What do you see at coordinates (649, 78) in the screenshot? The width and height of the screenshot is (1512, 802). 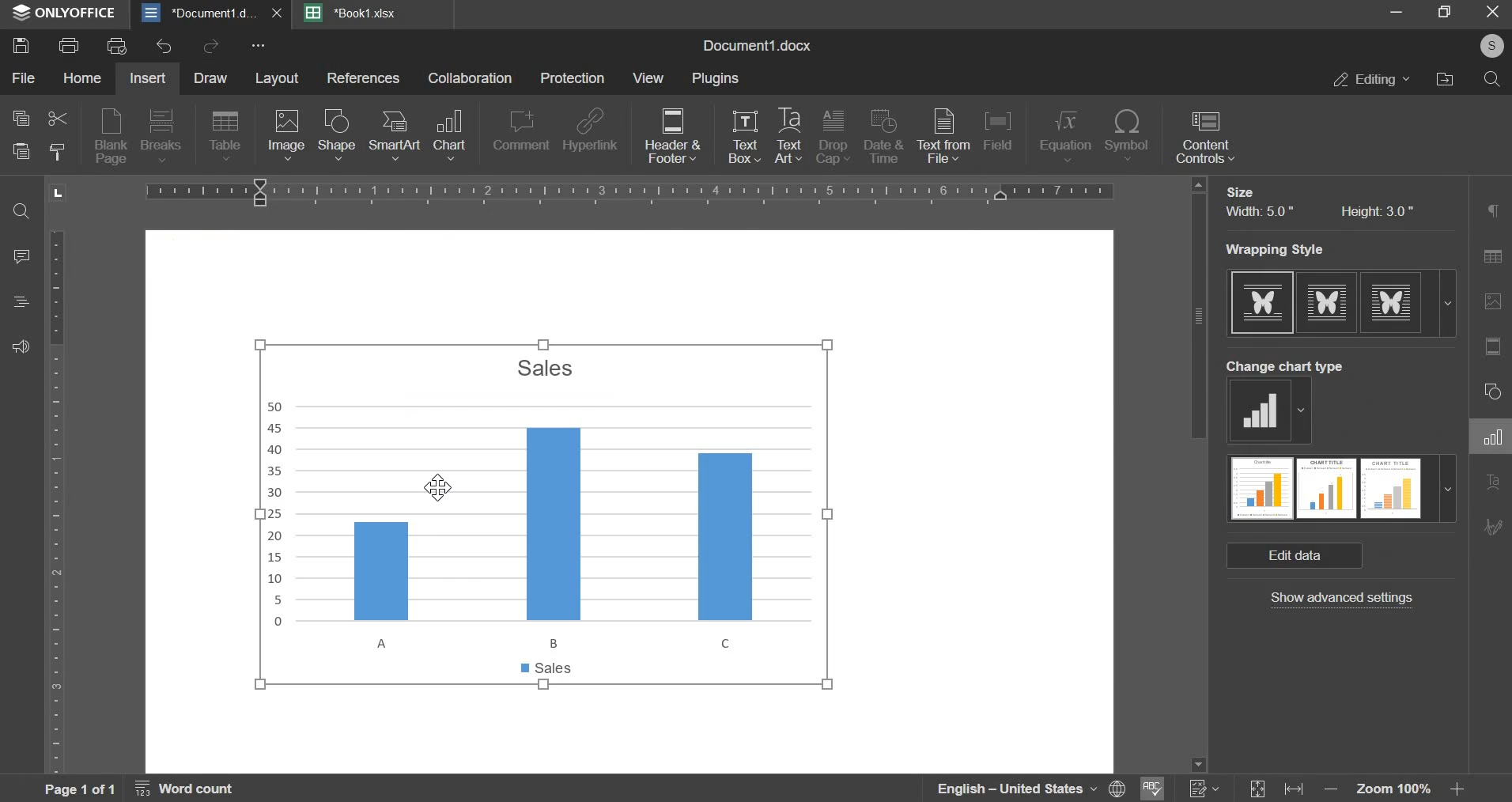 I see `view` at bounding box center [649, 78].